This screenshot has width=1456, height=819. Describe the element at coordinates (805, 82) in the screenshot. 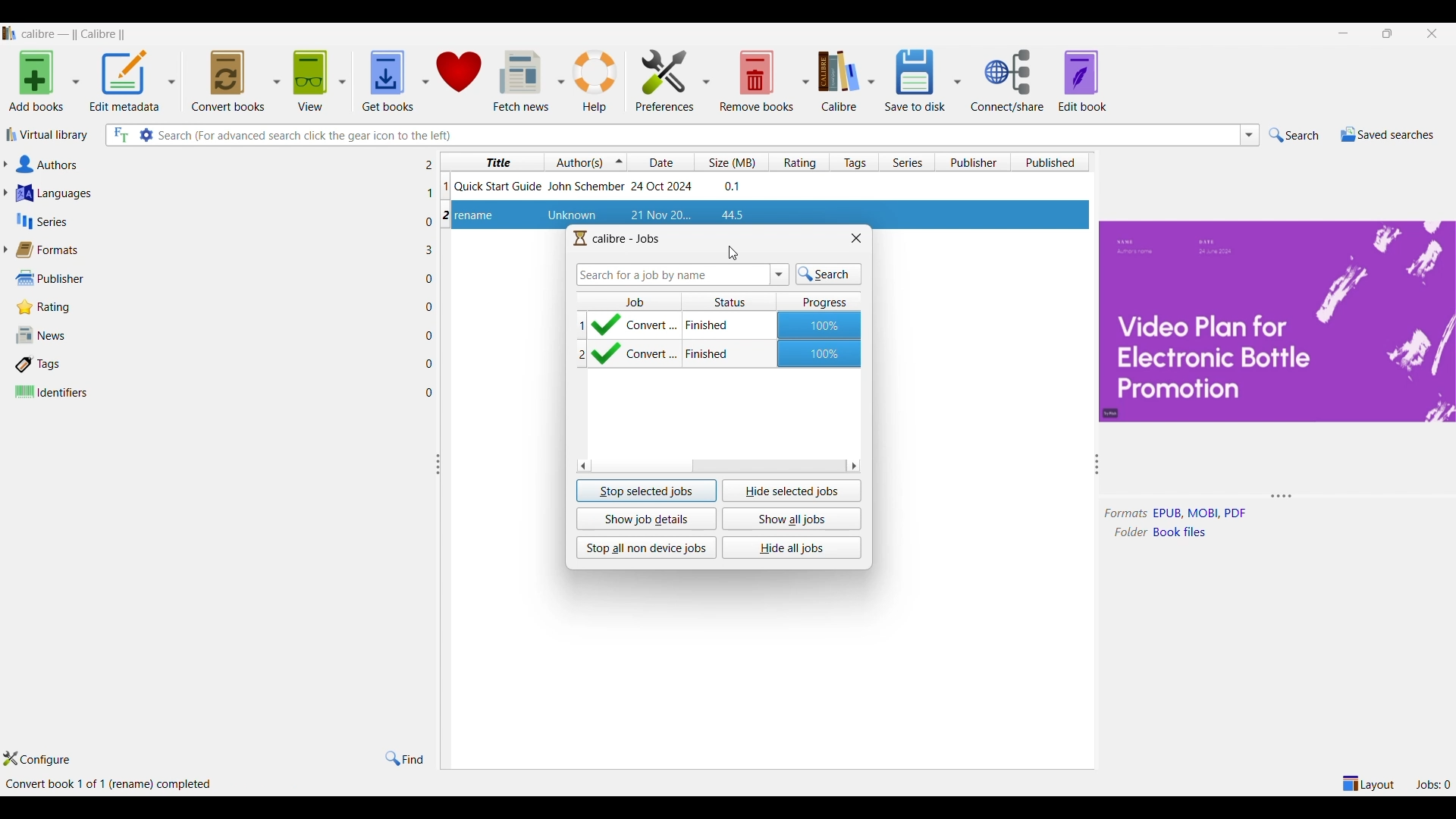

I see `Remove book options` at that location.